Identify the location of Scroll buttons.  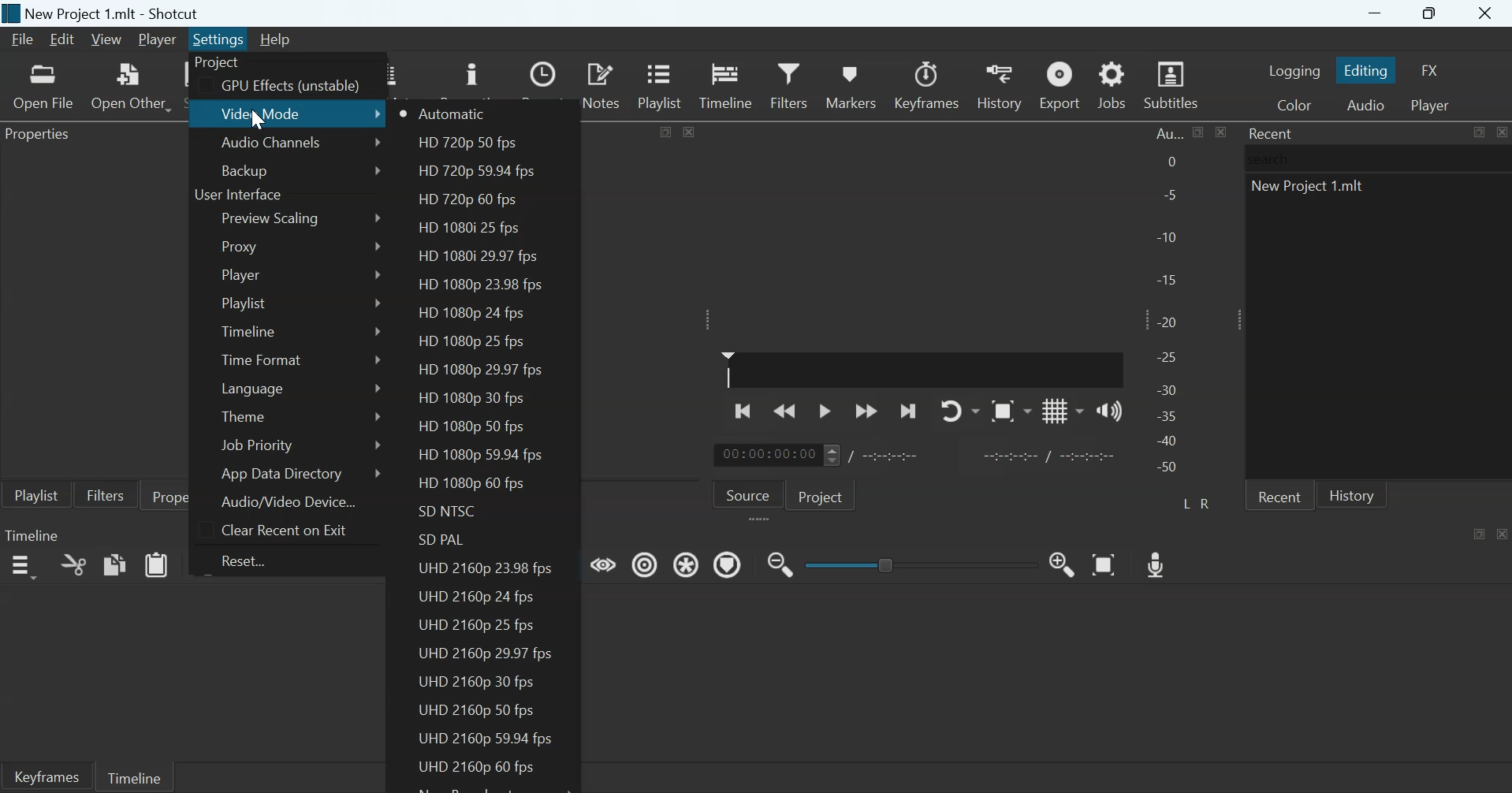
(831, 455).